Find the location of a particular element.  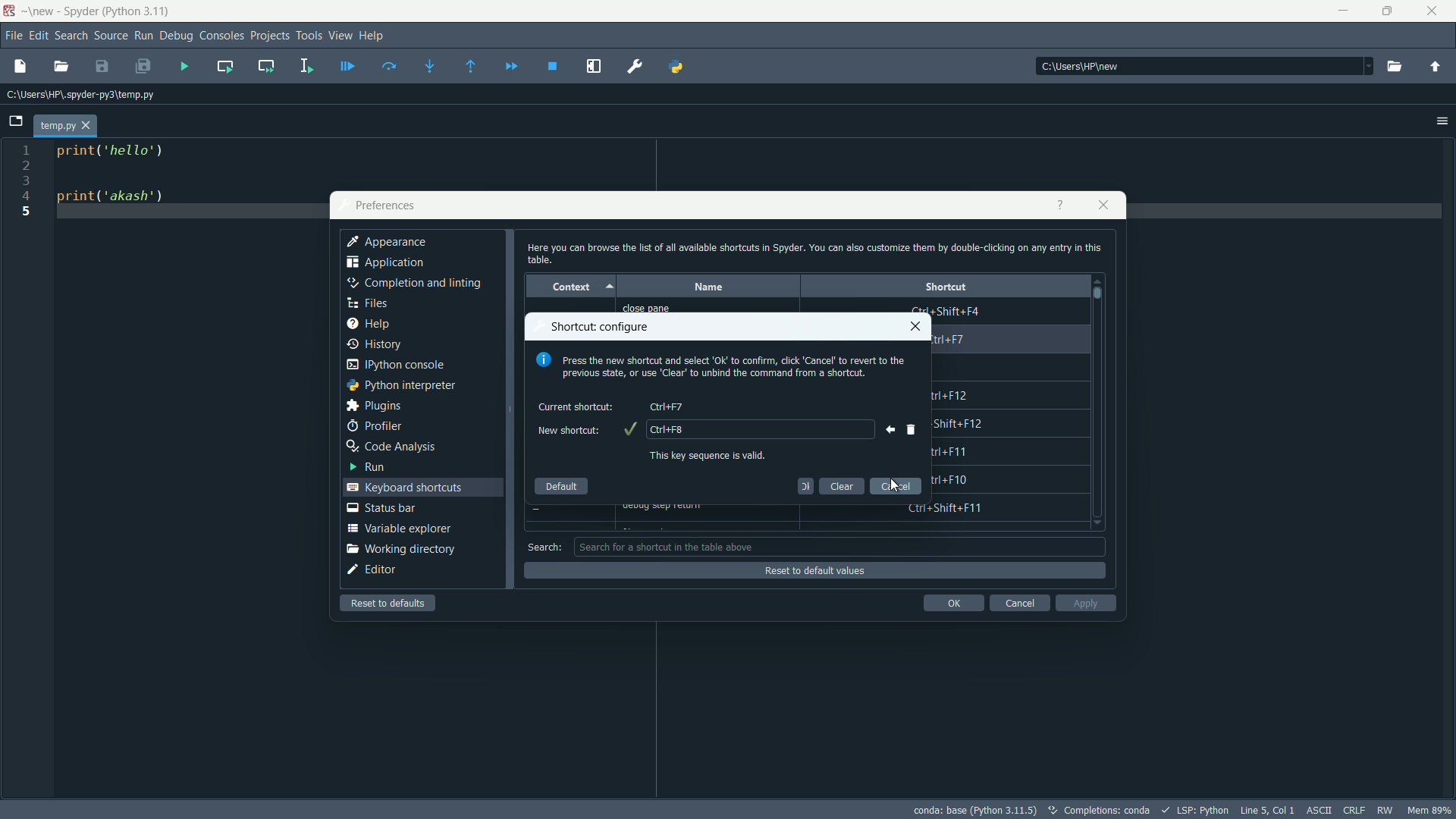

keyboard shortcut is located at coordinates (667, 406).